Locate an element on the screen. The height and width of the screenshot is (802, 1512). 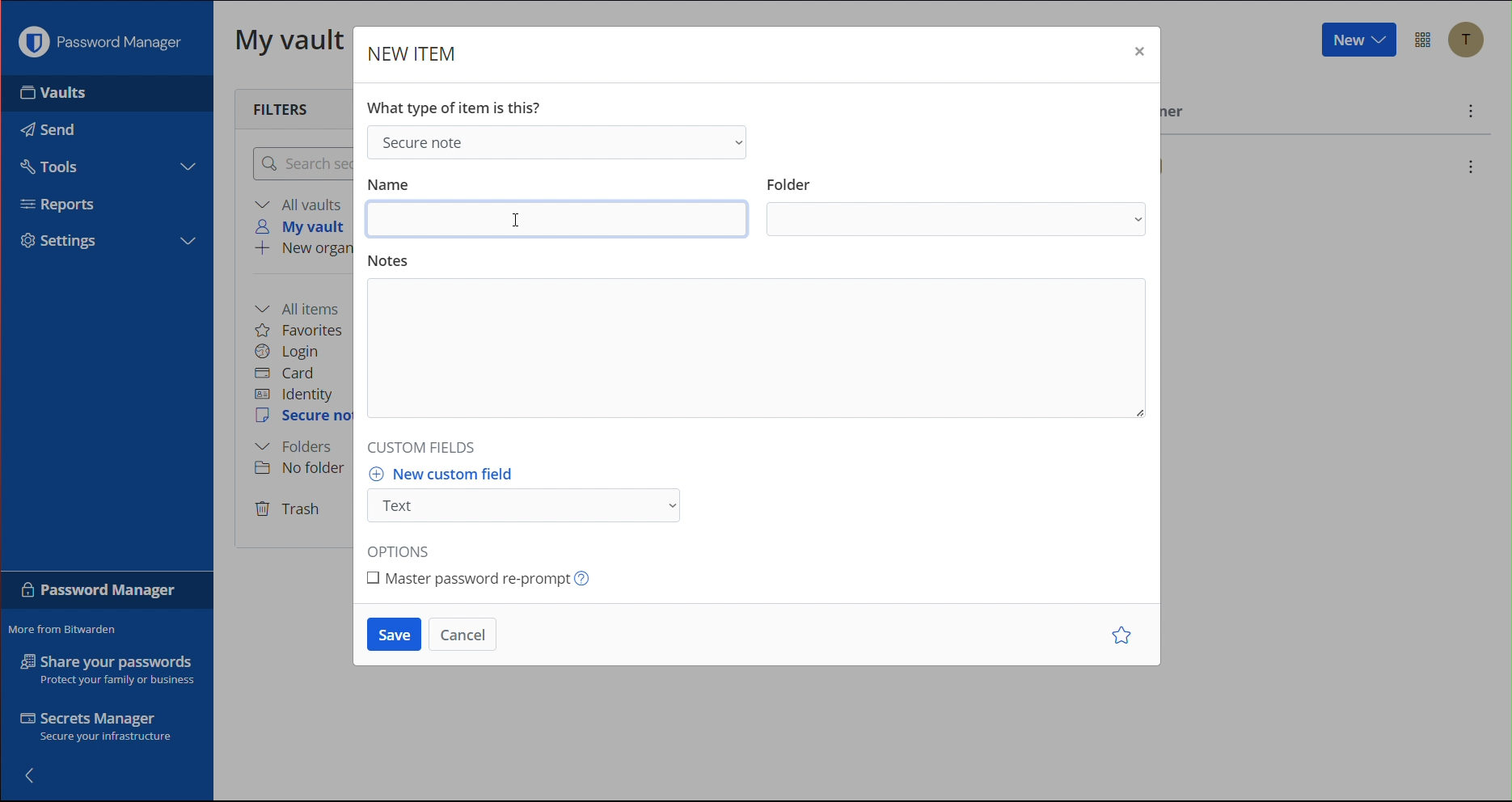
New custom field is located at coordinates (450, 474).